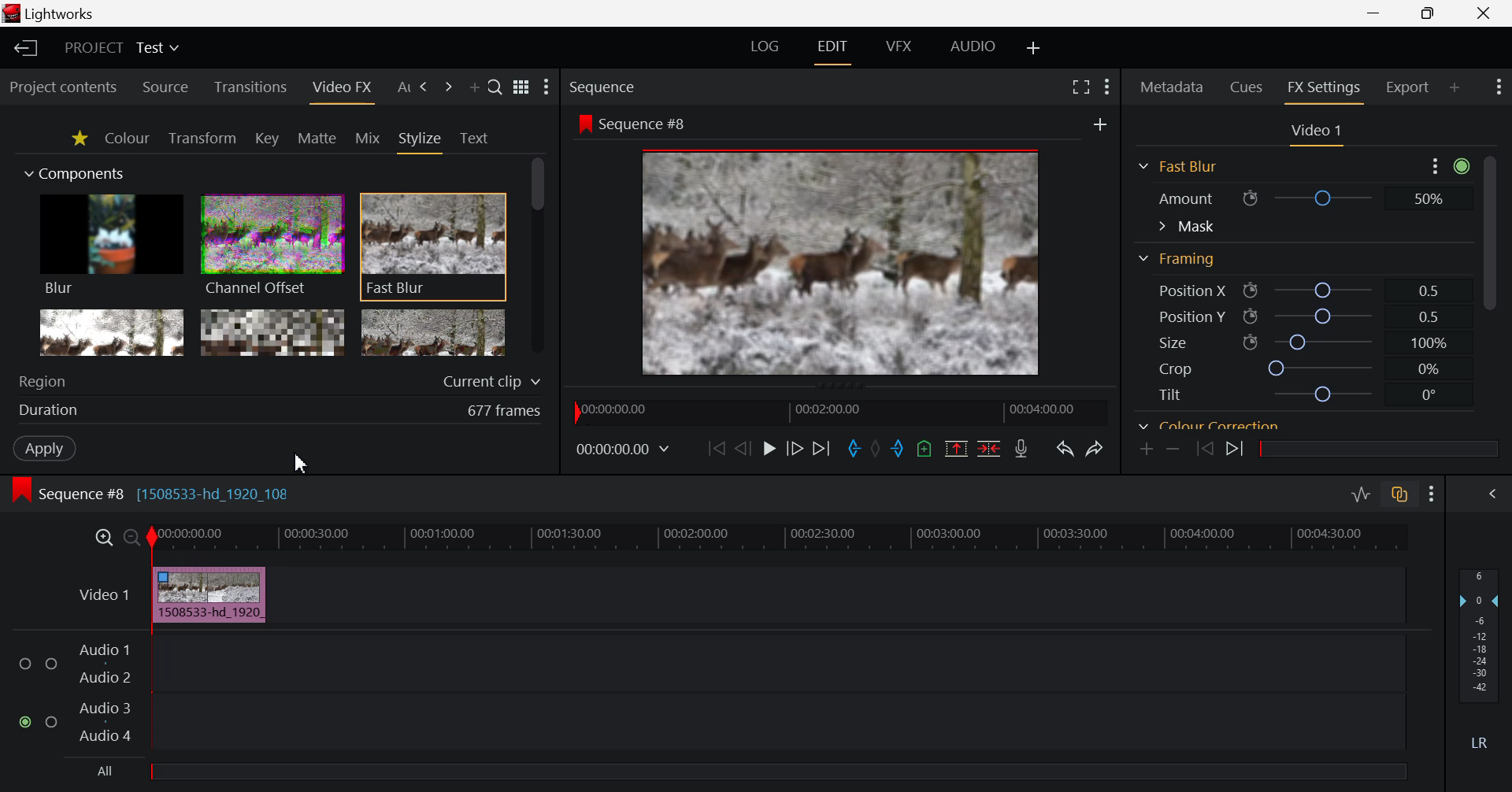  Describe the element at coordinates (835, 53) in the screenshot. I see `EDIT Layout` at that location.